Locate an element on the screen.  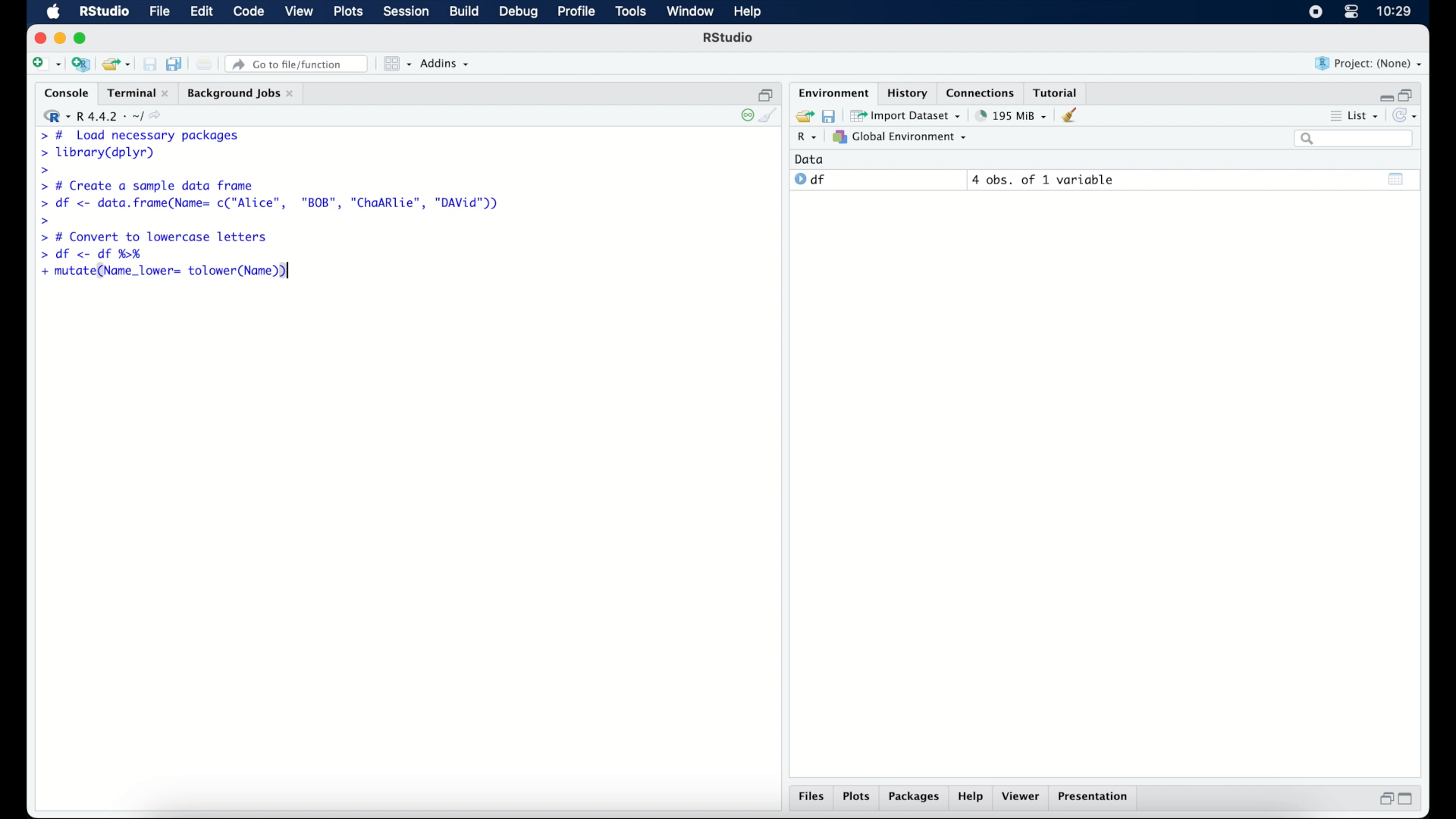
history is located at coordinates (906, 92).